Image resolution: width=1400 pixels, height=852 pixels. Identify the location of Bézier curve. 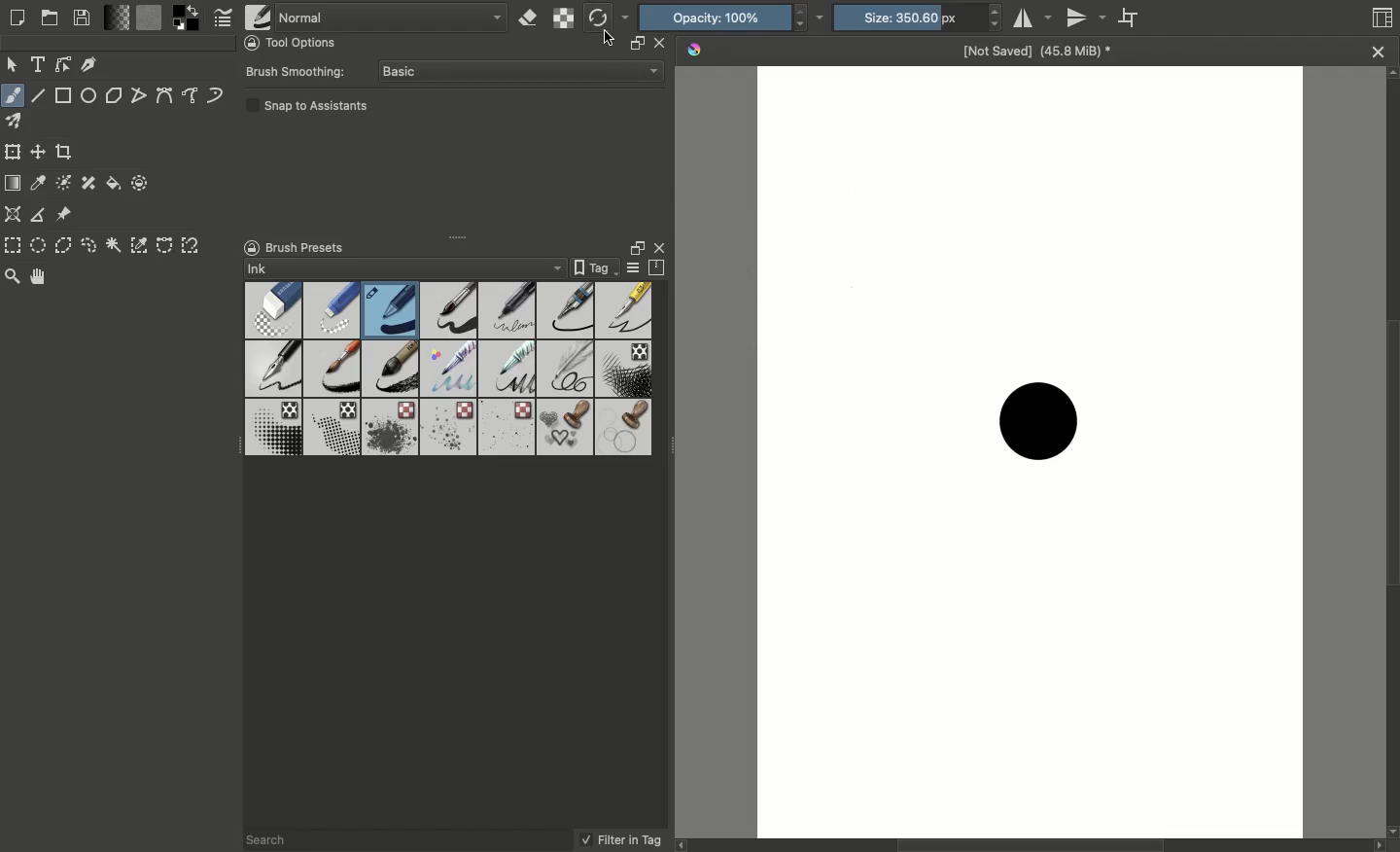
(165, 97).